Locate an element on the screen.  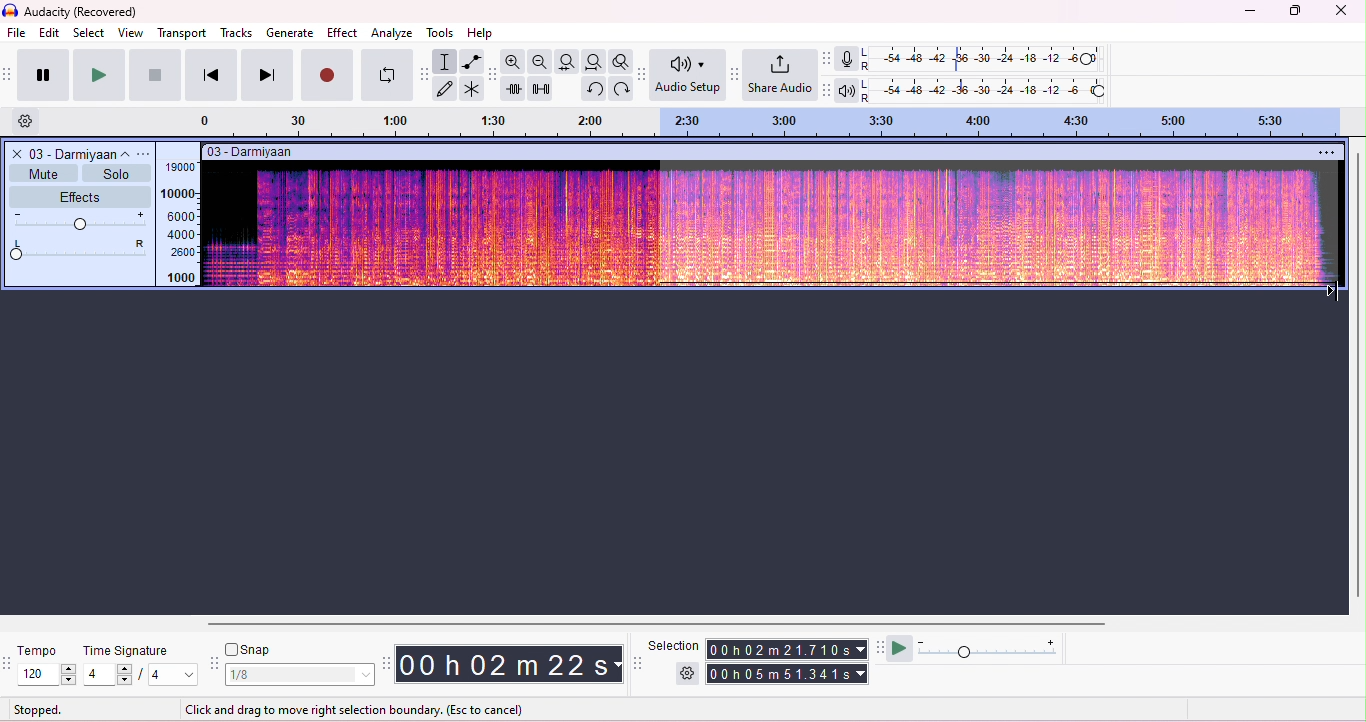
help is located at coordinates (482, 34).